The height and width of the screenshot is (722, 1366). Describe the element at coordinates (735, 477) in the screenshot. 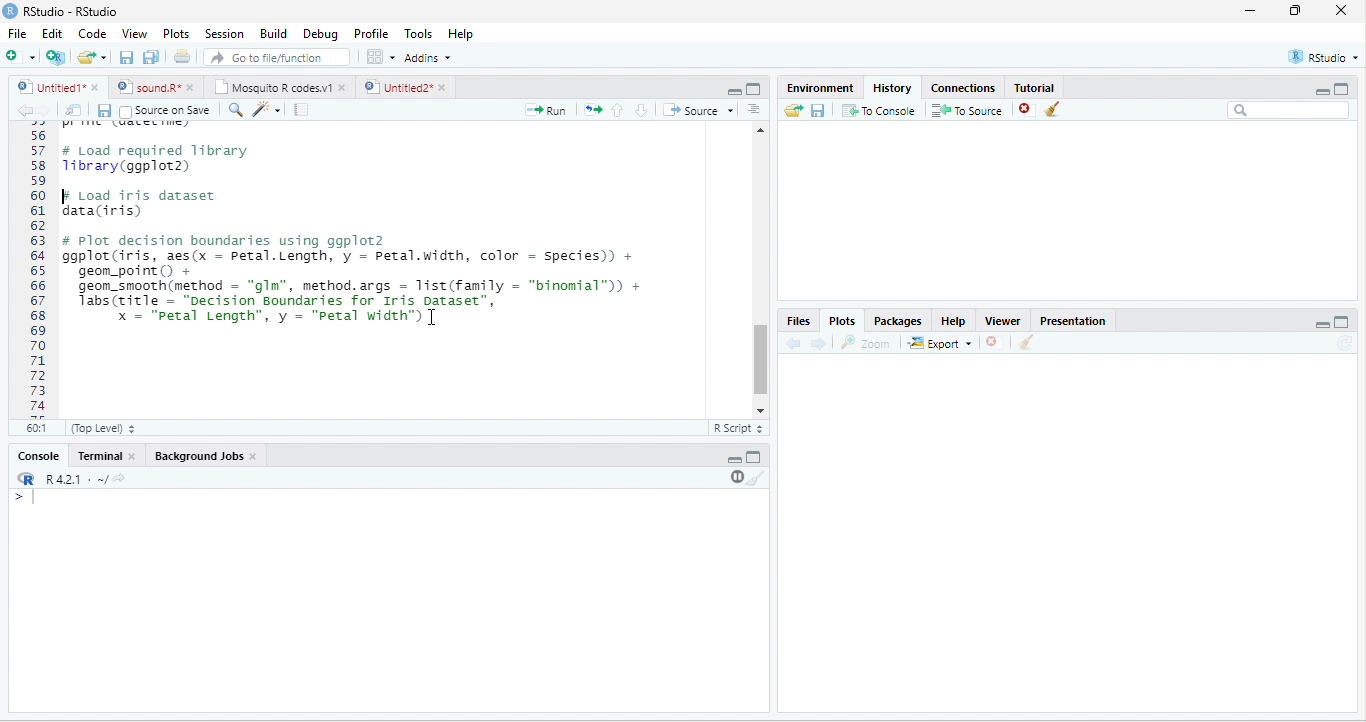

I see `pause` at that location.